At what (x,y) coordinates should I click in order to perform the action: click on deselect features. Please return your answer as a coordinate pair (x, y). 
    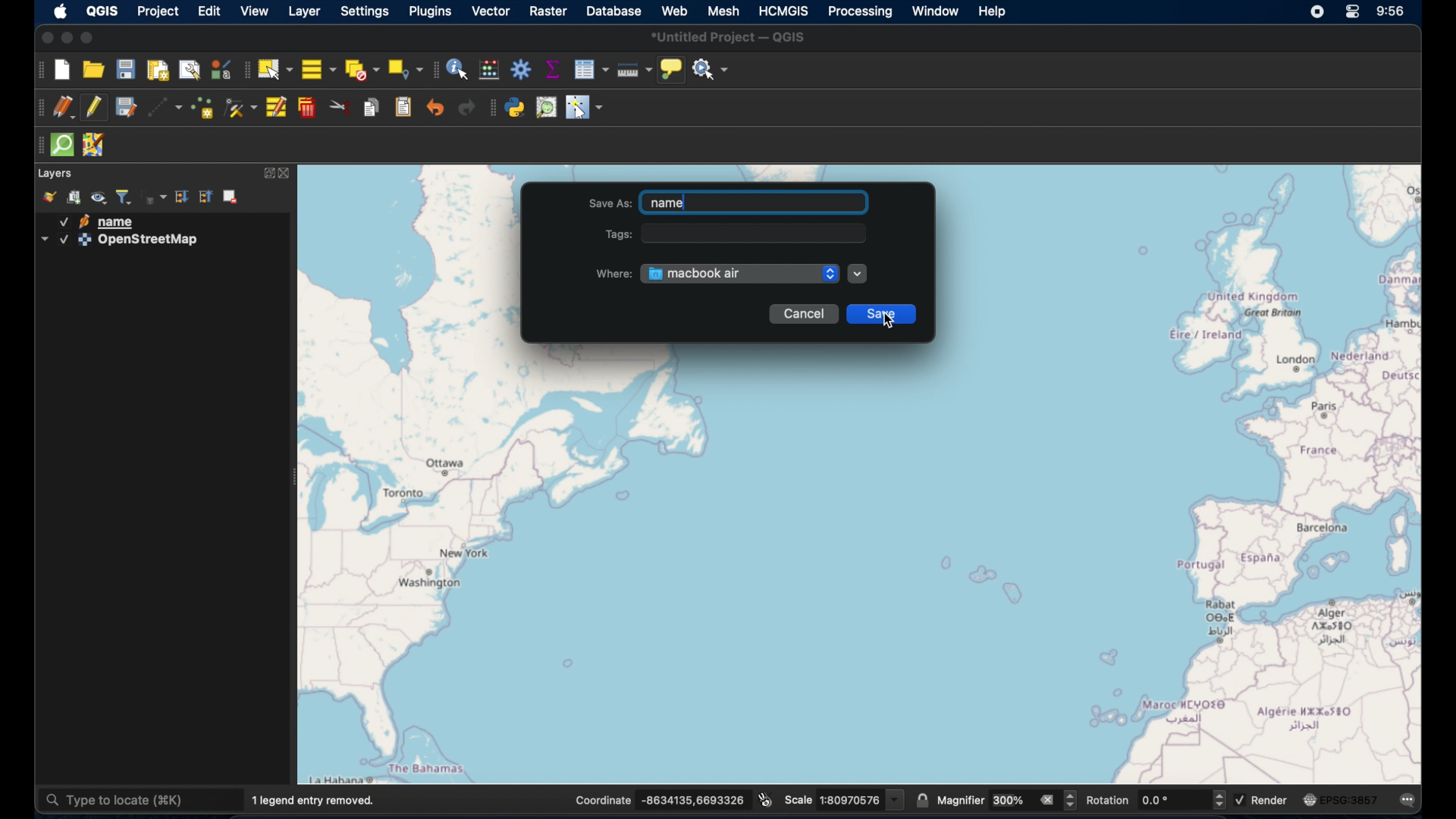
    Looking at the image, I should click on (361, 70).